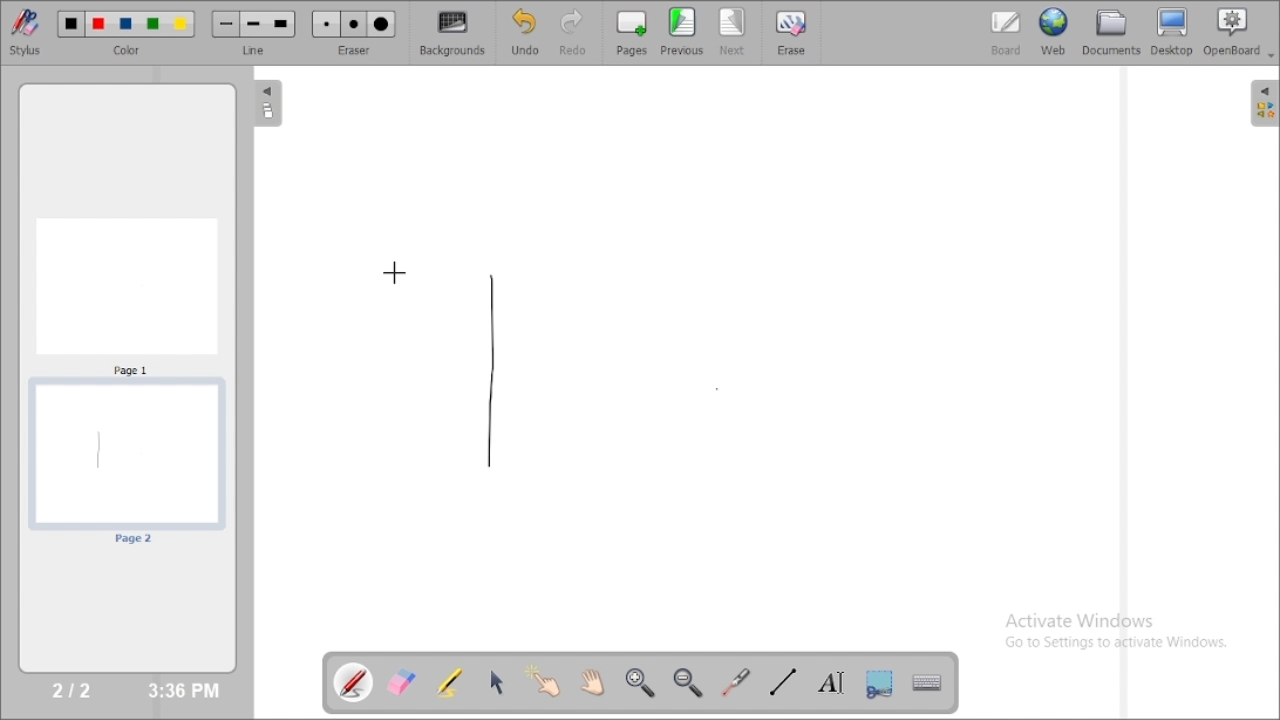  I want to click on 2/2, so click(73, 689).